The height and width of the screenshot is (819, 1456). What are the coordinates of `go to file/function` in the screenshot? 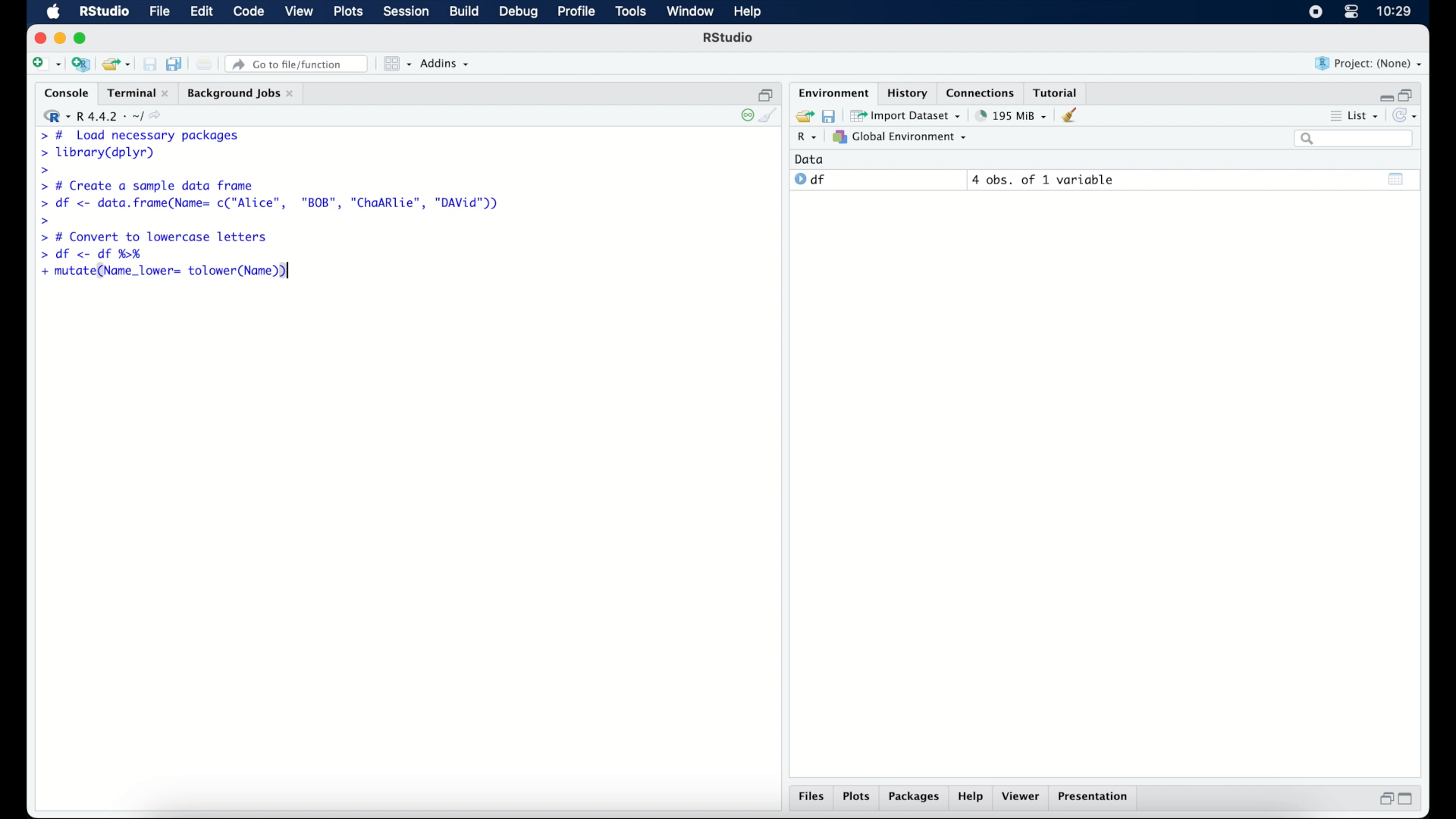 It's located at (297, 64).